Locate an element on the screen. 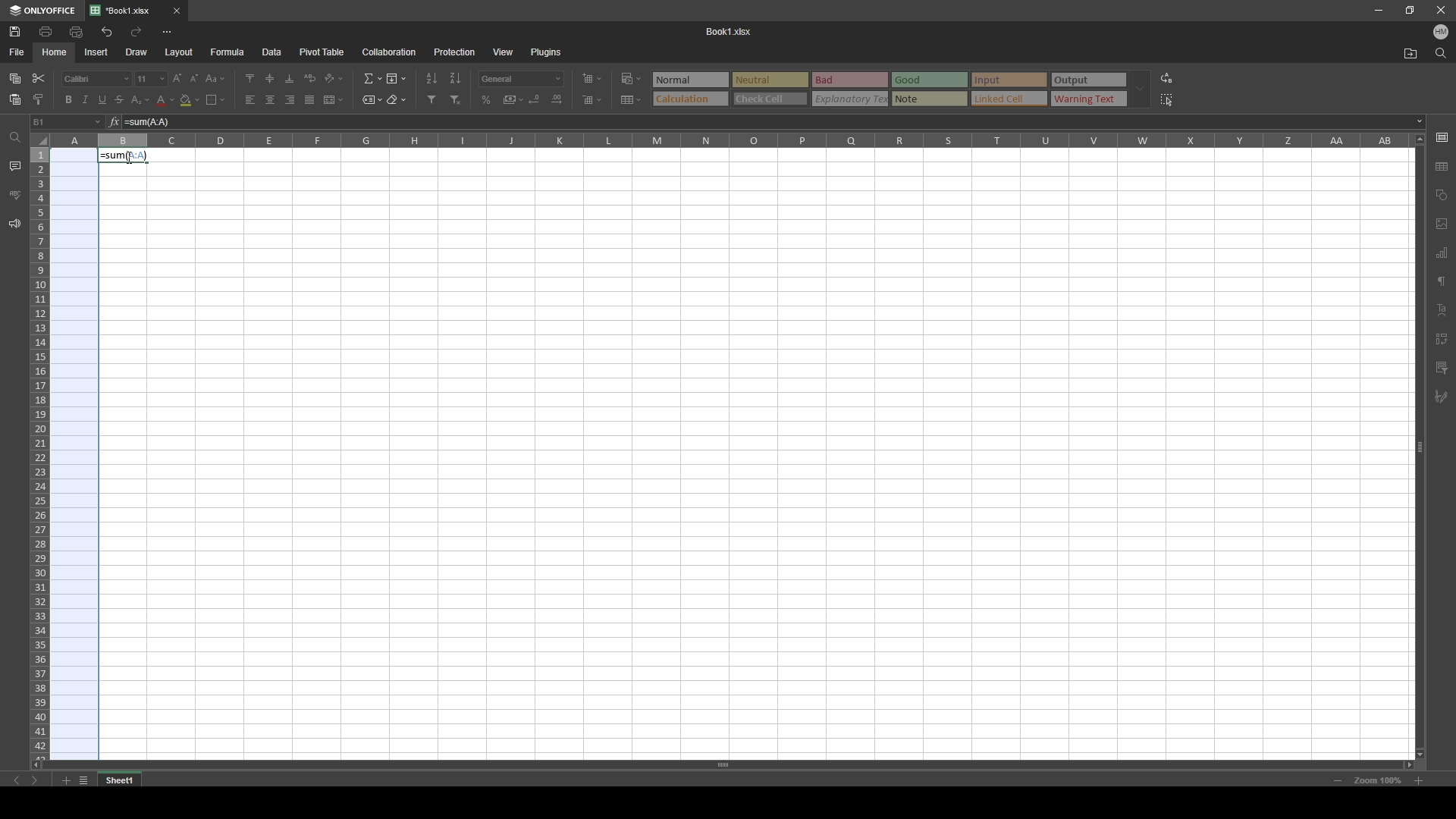 Image resolution: width=1456 pixels, height=819 pixels. replace is located at coordinates (1166, 78).